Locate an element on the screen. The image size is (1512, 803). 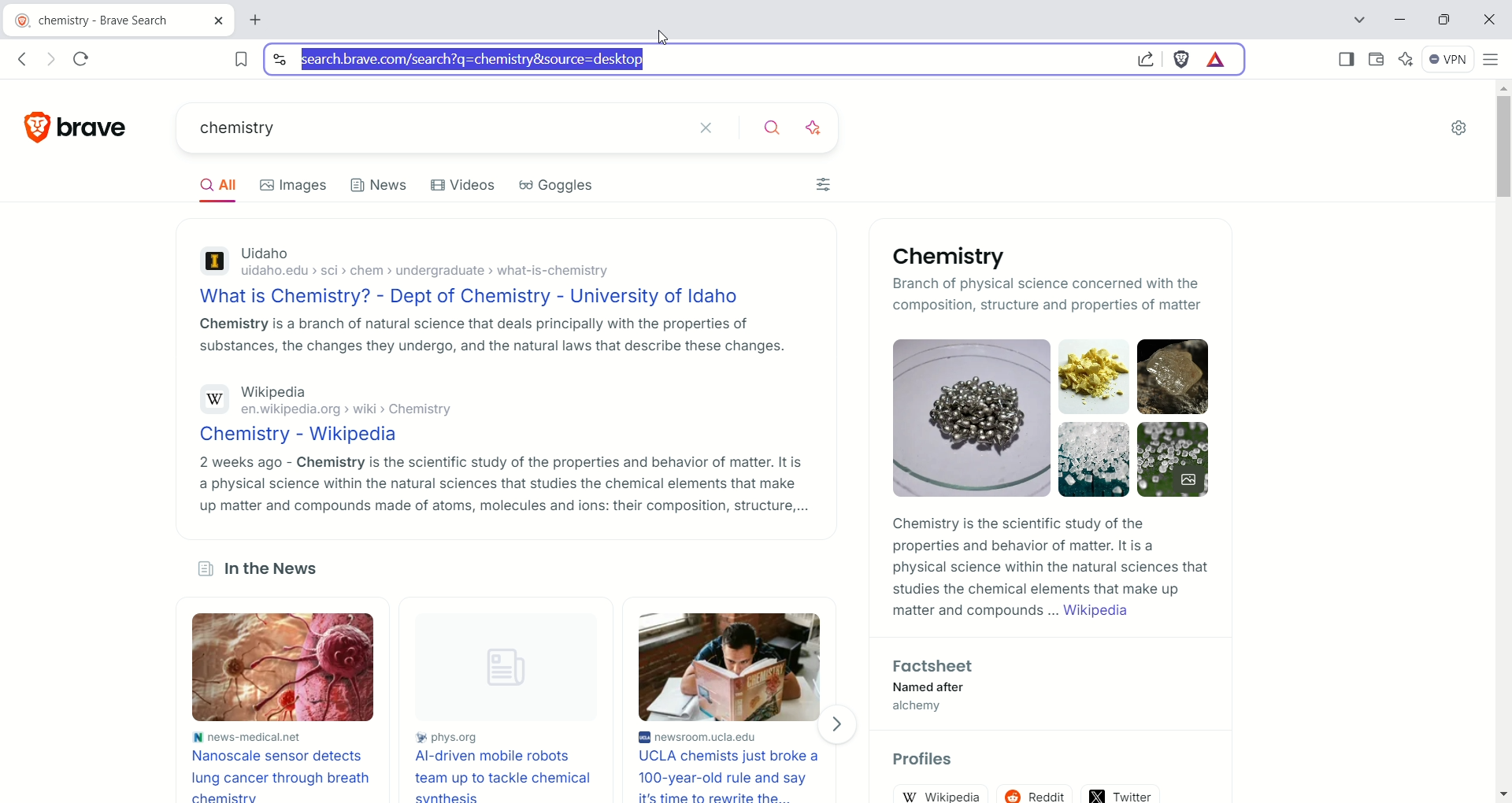
cursor is located at coordinates (662, 36).